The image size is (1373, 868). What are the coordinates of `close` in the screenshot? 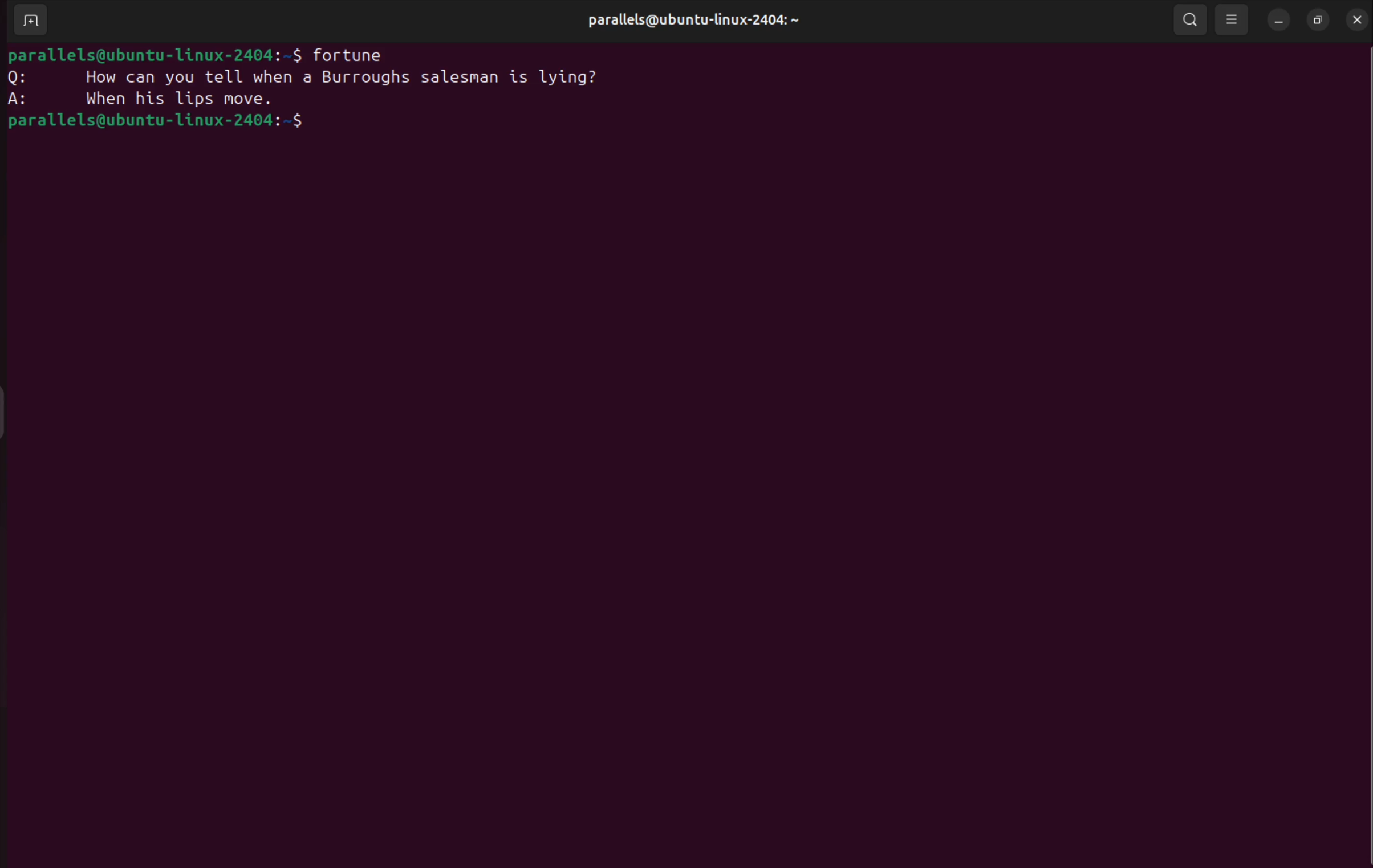 It's located at (1358, 19).